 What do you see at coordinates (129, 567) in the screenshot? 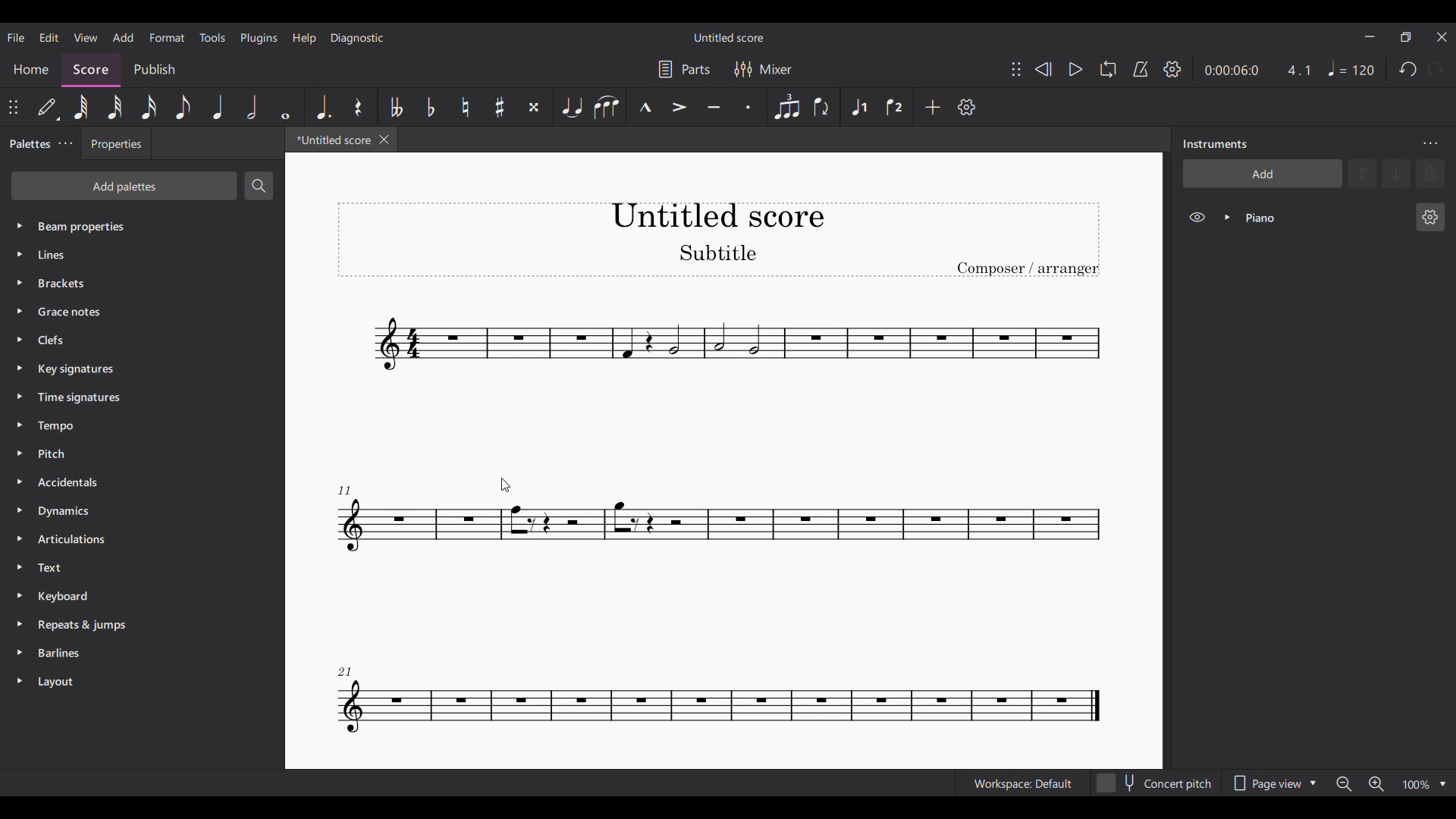
I see `Text` at bounding box center [129, 567].